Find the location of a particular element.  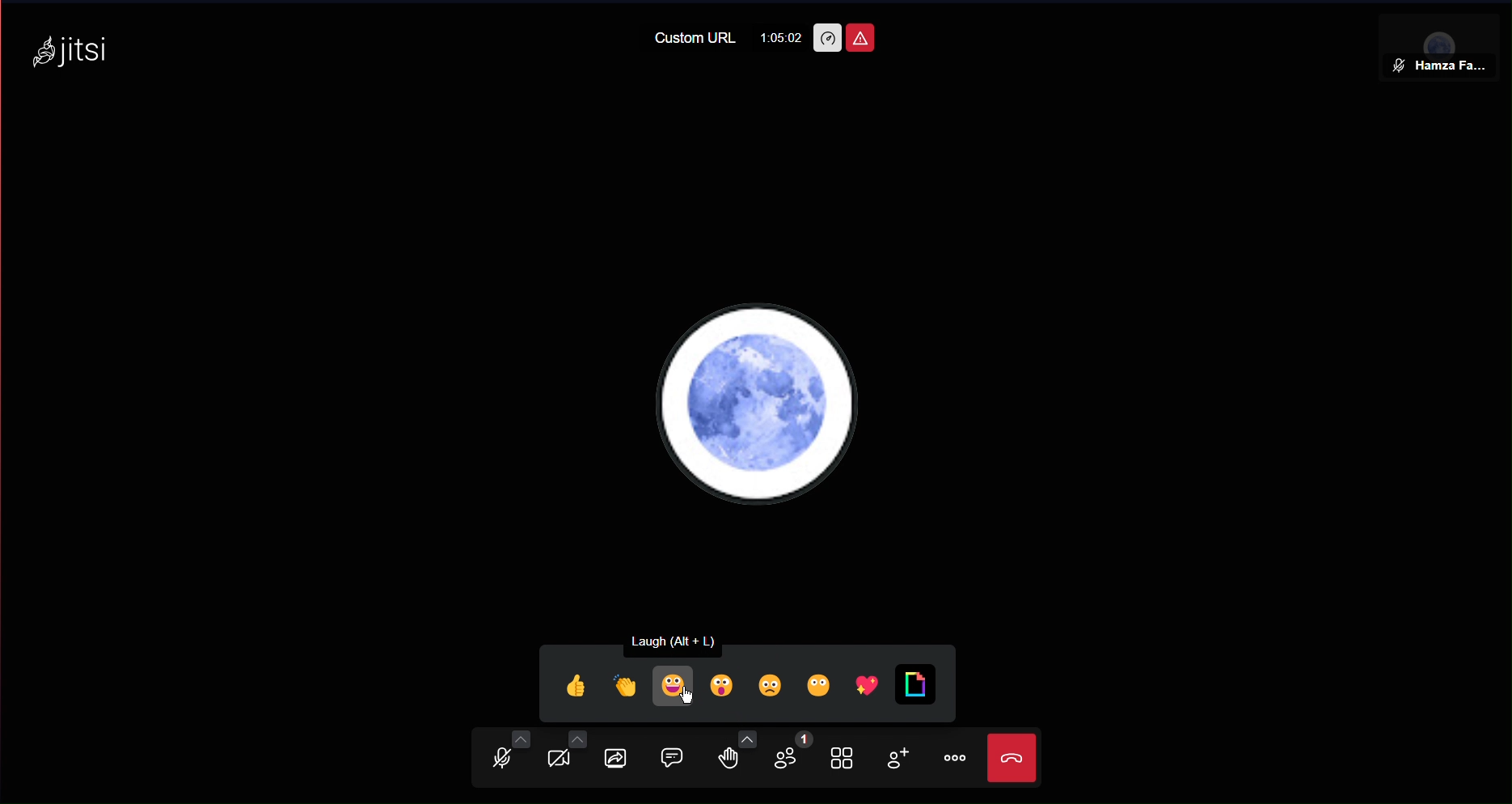

Laugh (Alt + L) is located at coordinates (686, 639).